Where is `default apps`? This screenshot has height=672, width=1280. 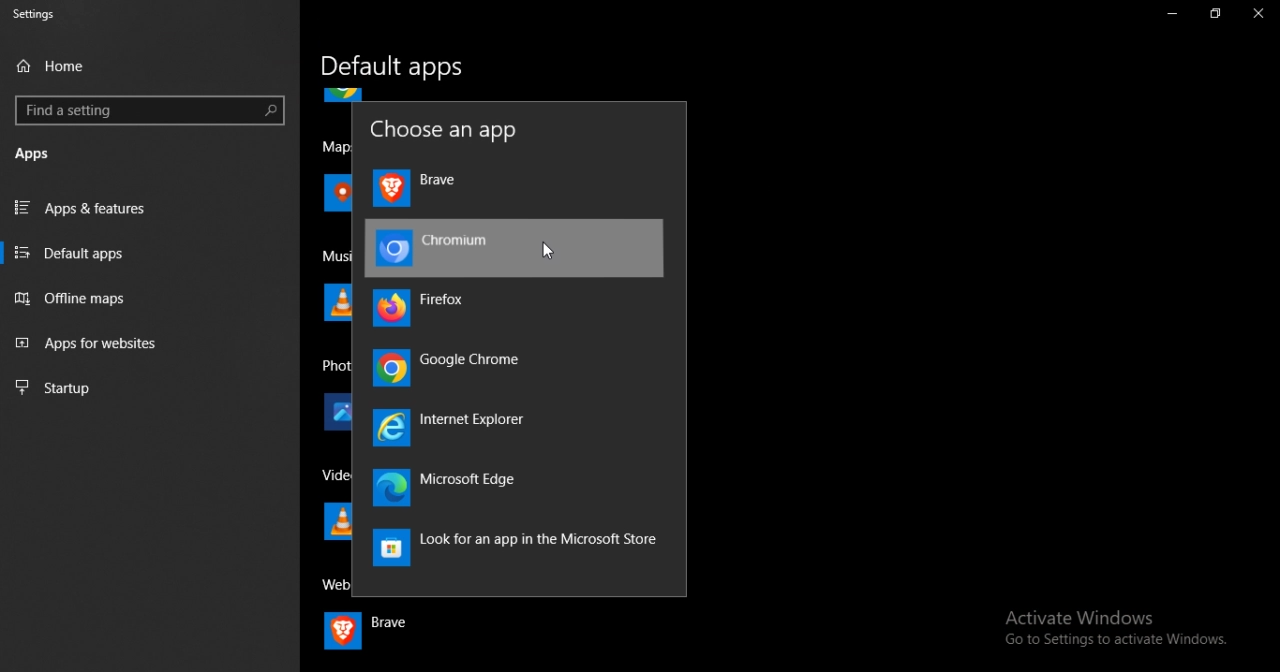
default apps is located at coordinates (149, 252).